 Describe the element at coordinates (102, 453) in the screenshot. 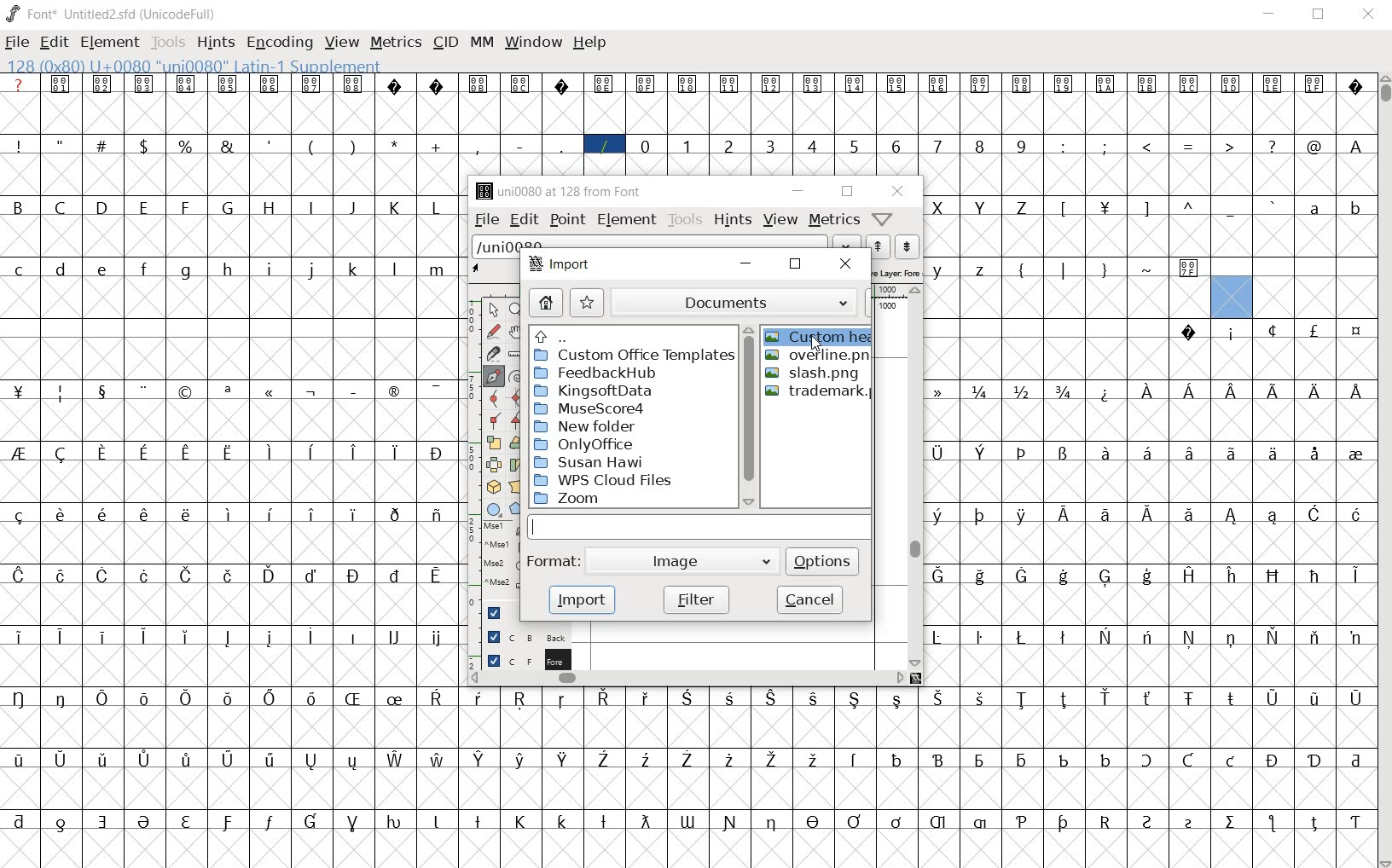

I see `glyph` at that location.